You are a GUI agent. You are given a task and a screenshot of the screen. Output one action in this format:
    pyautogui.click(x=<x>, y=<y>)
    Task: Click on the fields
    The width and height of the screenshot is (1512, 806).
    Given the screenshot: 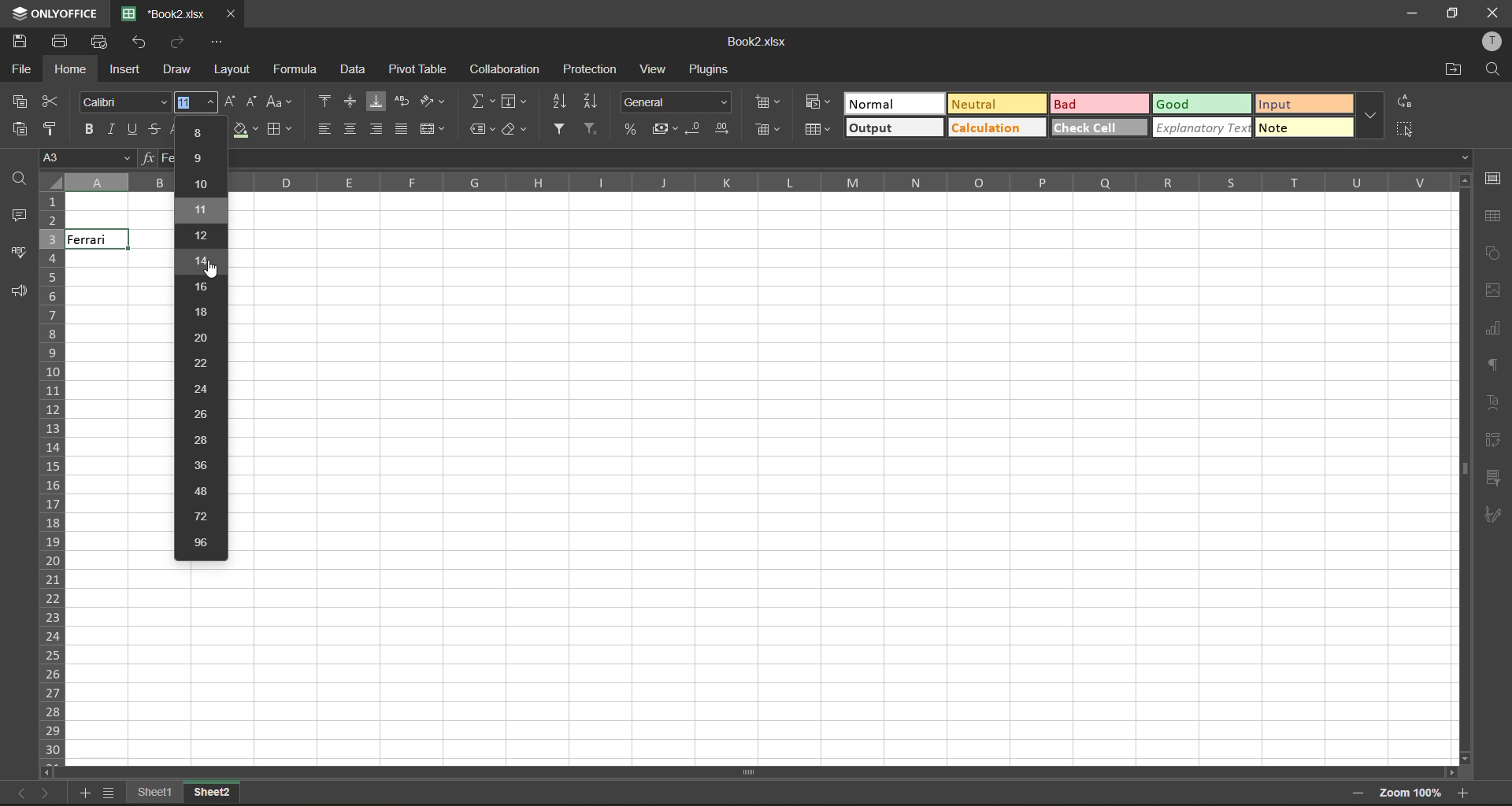 What is the action you would take?
    pyautogui.click(x=515, y=101)
    